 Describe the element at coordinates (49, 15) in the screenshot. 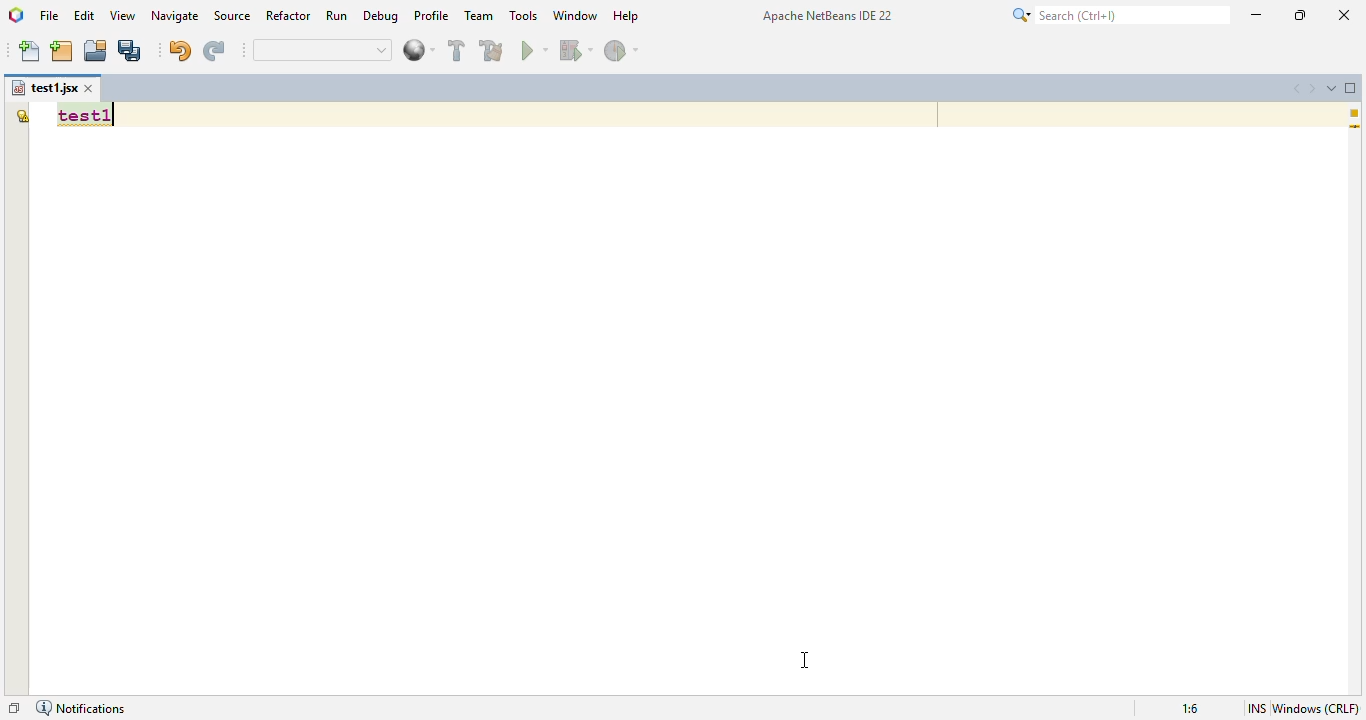

I see `file` at that location.